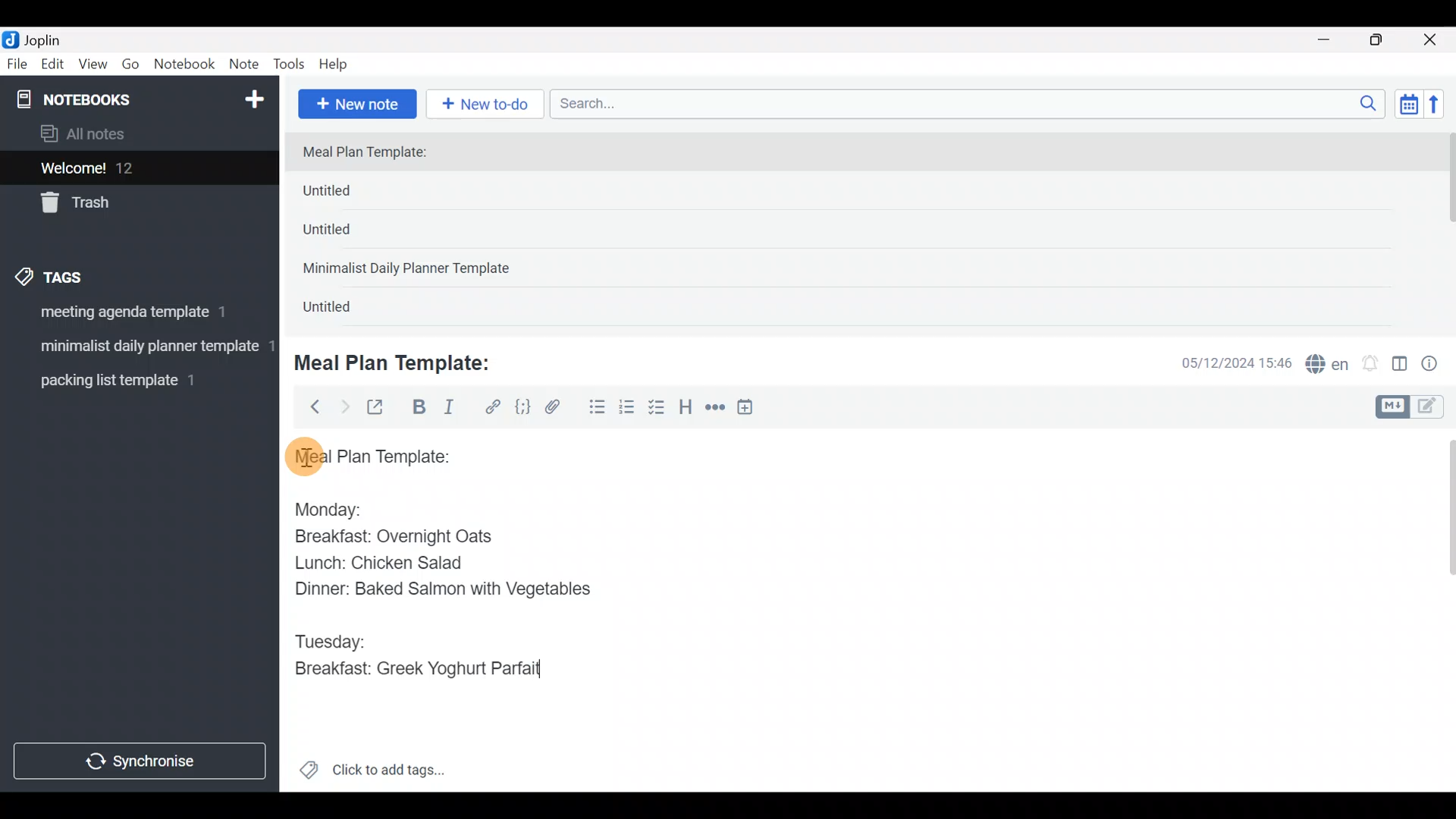  Describe the element at coordinates (594, 408) in the screenshot. I see `Bulleted list` at that location.